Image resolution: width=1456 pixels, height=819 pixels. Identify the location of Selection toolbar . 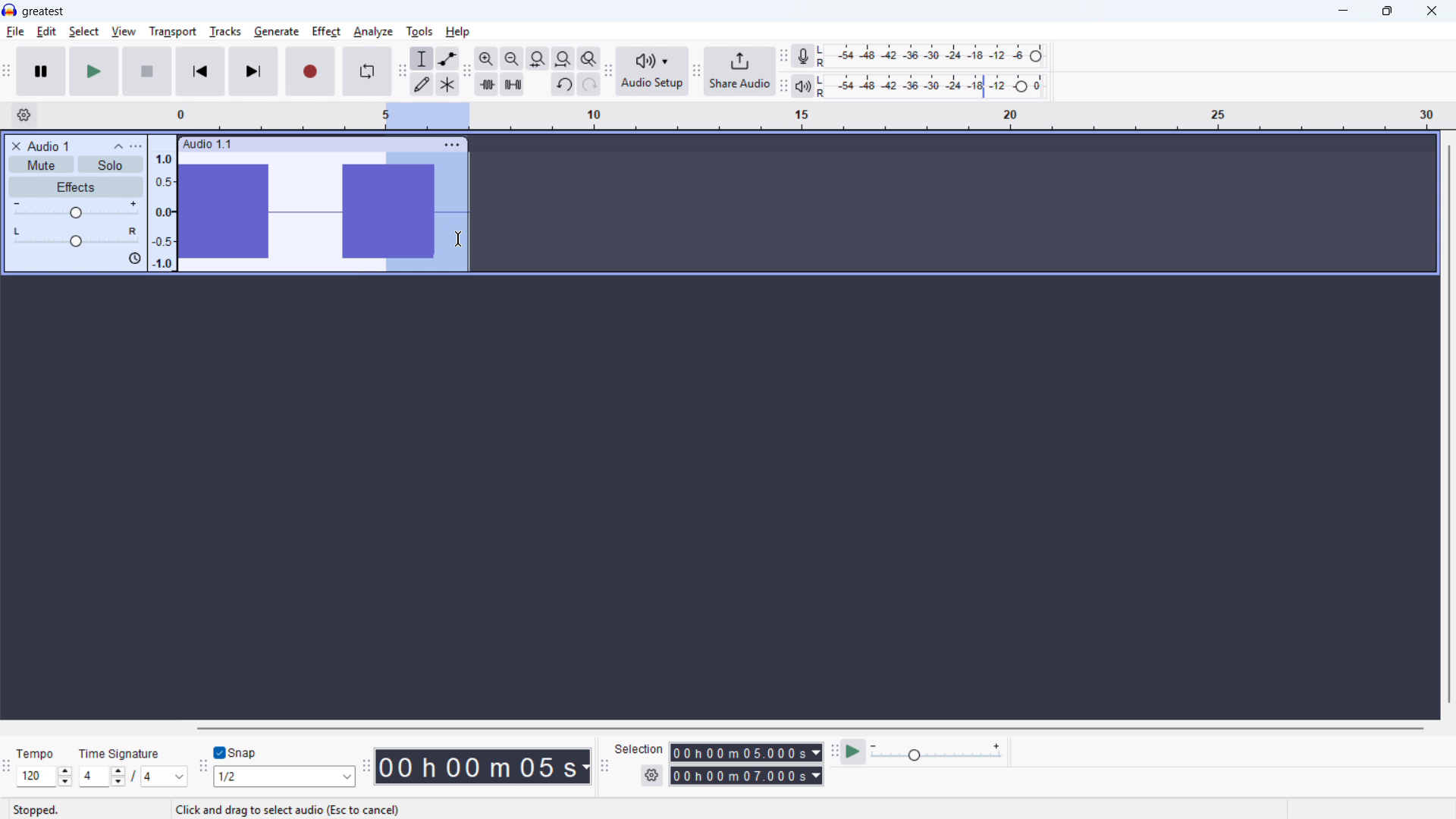
(607, 769).